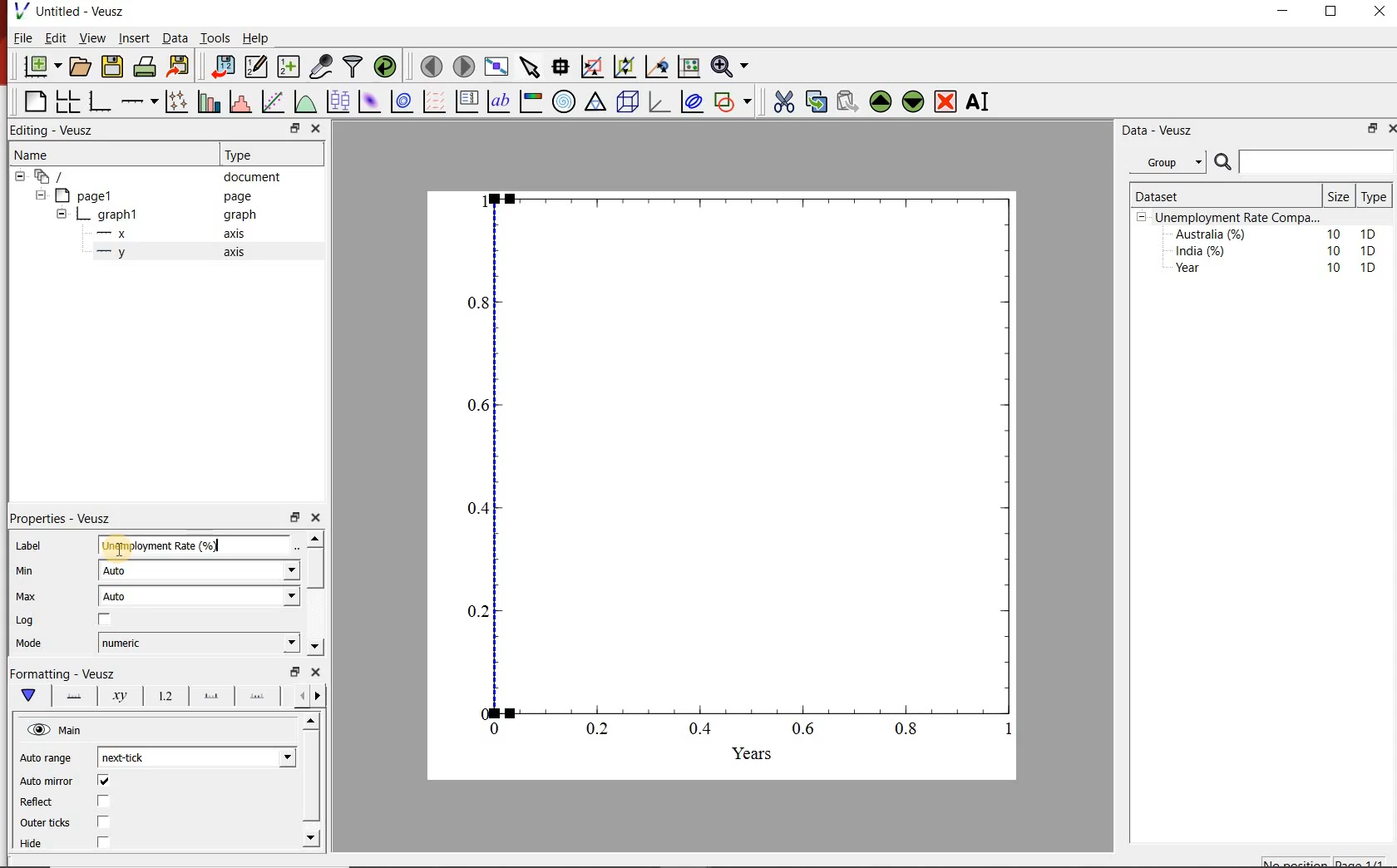 The image size is (1397, 868). I want to click on Hide, so click(32, 843).